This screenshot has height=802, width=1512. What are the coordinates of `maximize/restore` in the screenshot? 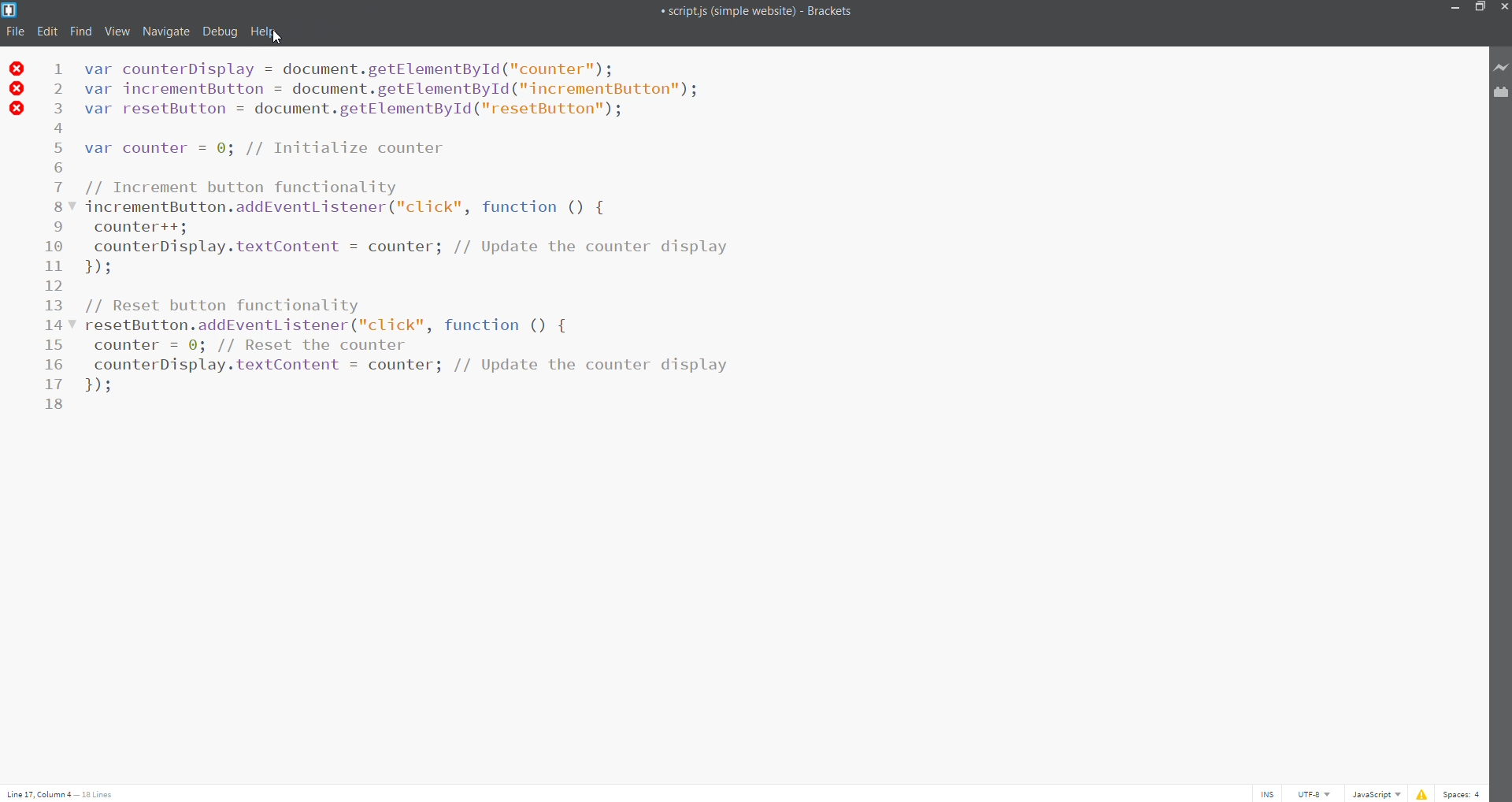 It's located at (1481, 9).